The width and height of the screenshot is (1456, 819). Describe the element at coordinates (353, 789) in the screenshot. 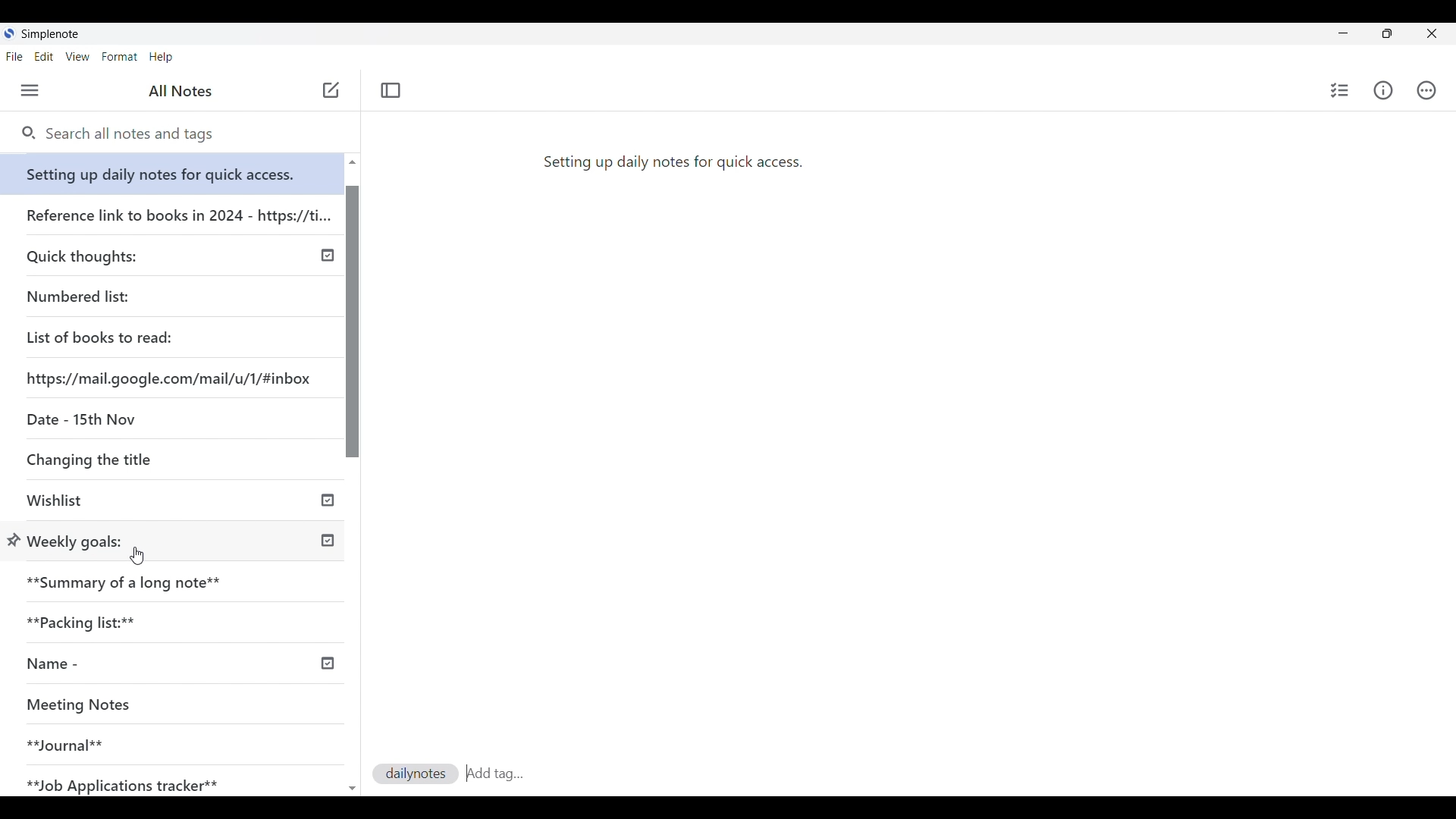

I see `Quick slide to top` at that location.